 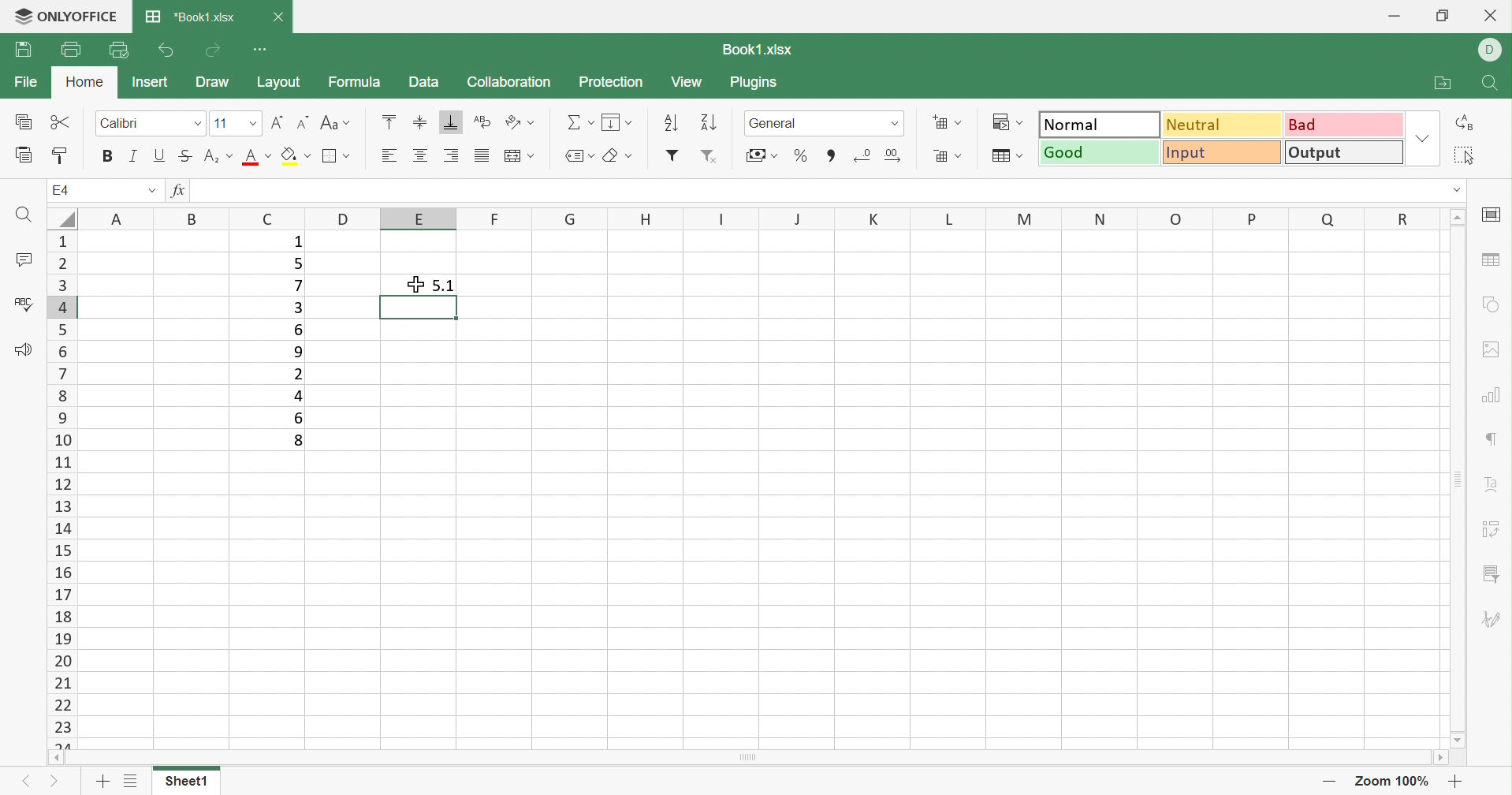 I want to click on Text Art settings, so click(x=1492, y=487).